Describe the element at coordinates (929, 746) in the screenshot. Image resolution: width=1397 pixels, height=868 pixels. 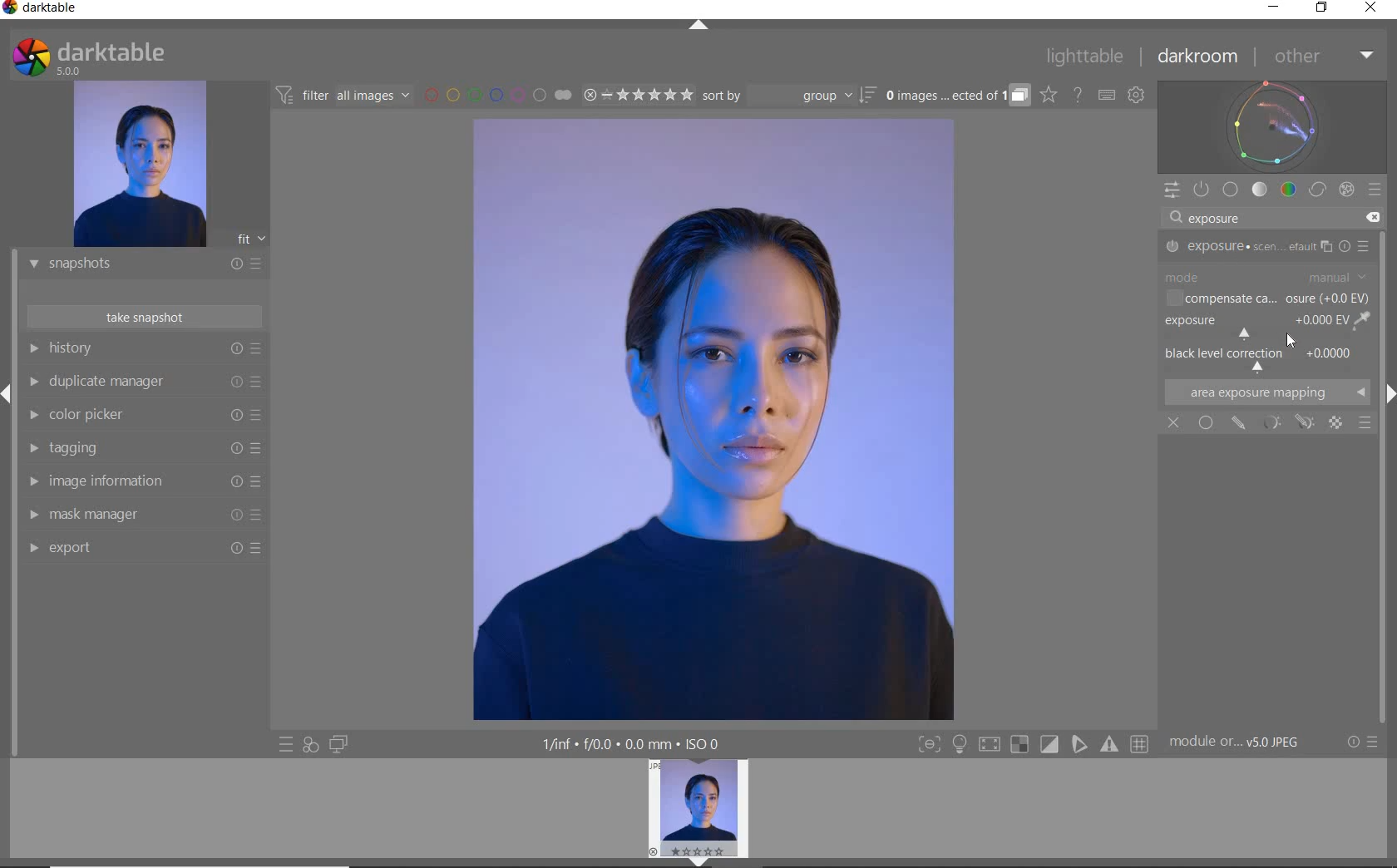
I see `Button` at that location.